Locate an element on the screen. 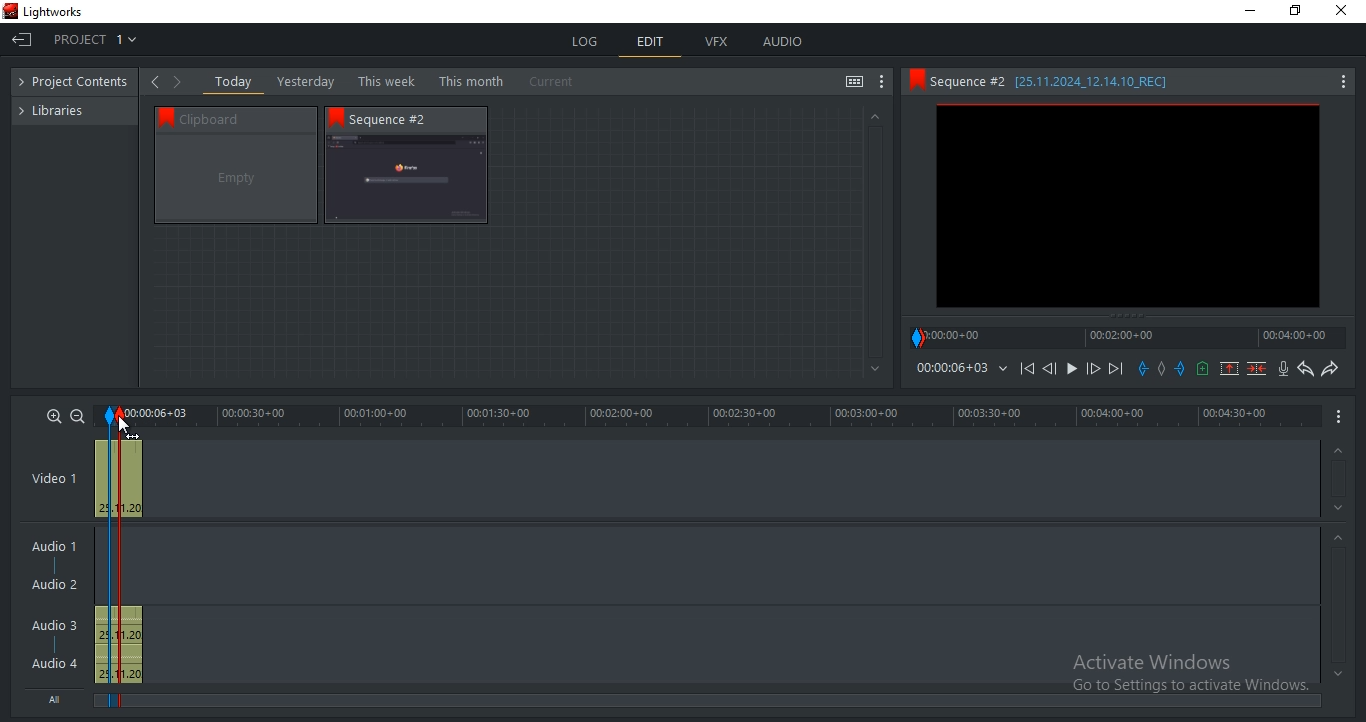  timeline is located at coordinates (1128, 337).